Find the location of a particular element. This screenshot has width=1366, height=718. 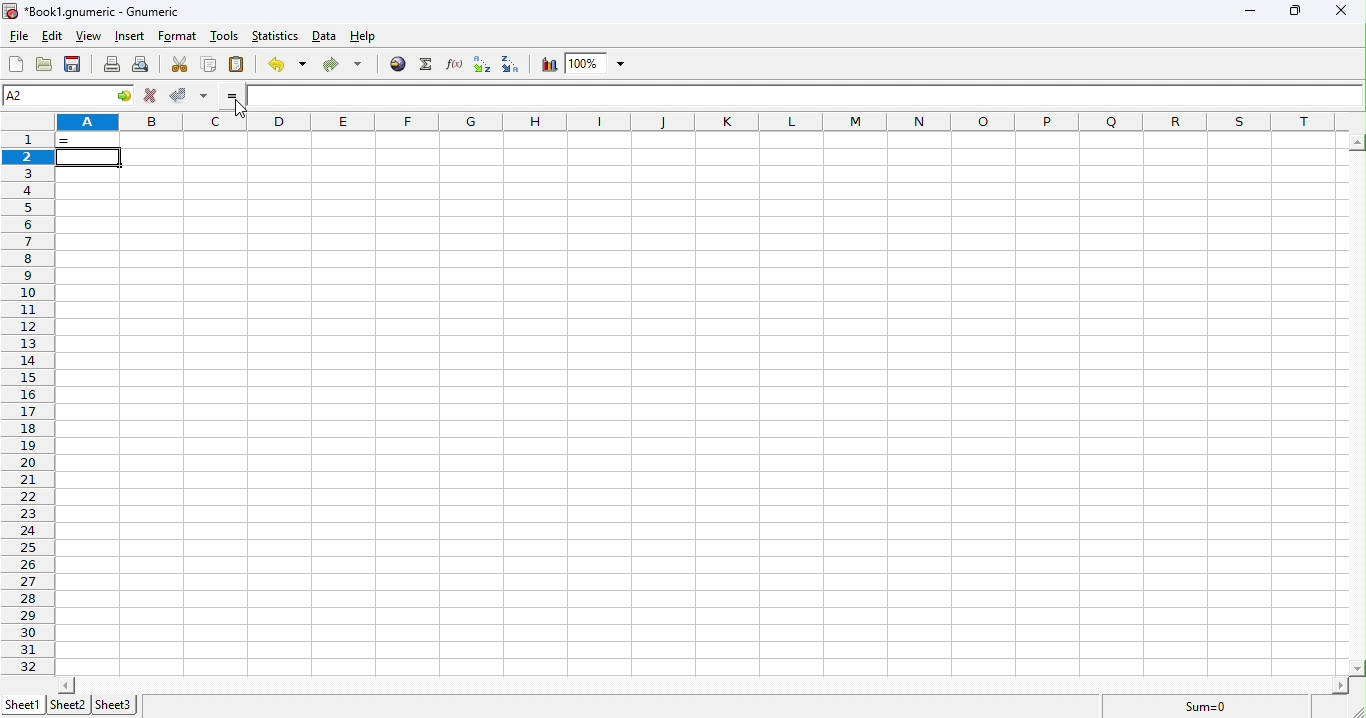

Book1.gnumeric -Gnumeric is located at coordinates (90, 11).